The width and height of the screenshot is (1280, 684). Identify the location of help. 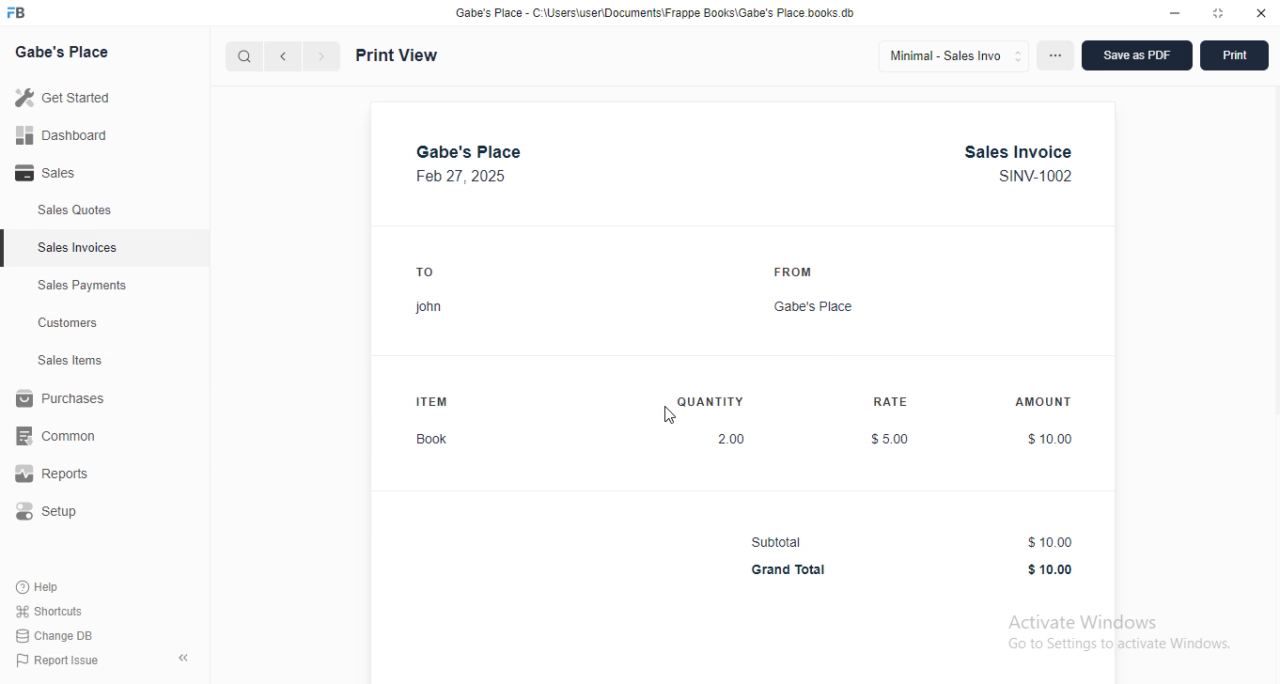
(39, 587).